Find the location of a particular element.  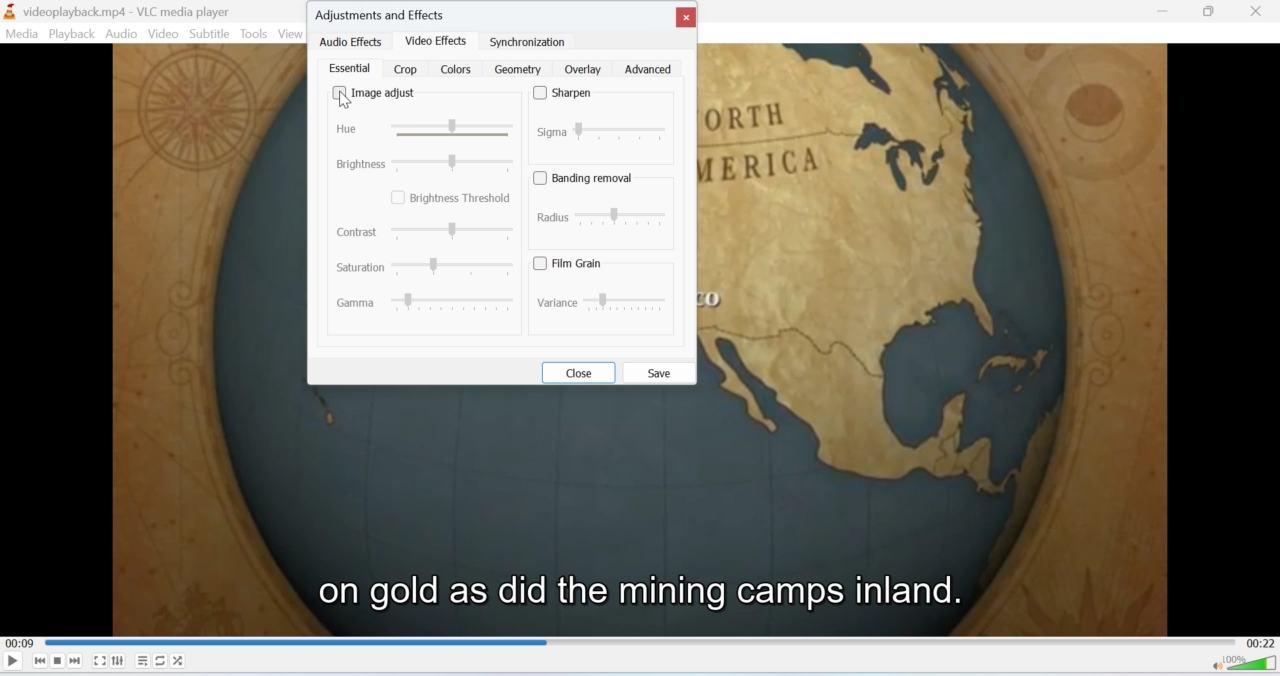

audio effects is located at coordinates (354, 43).